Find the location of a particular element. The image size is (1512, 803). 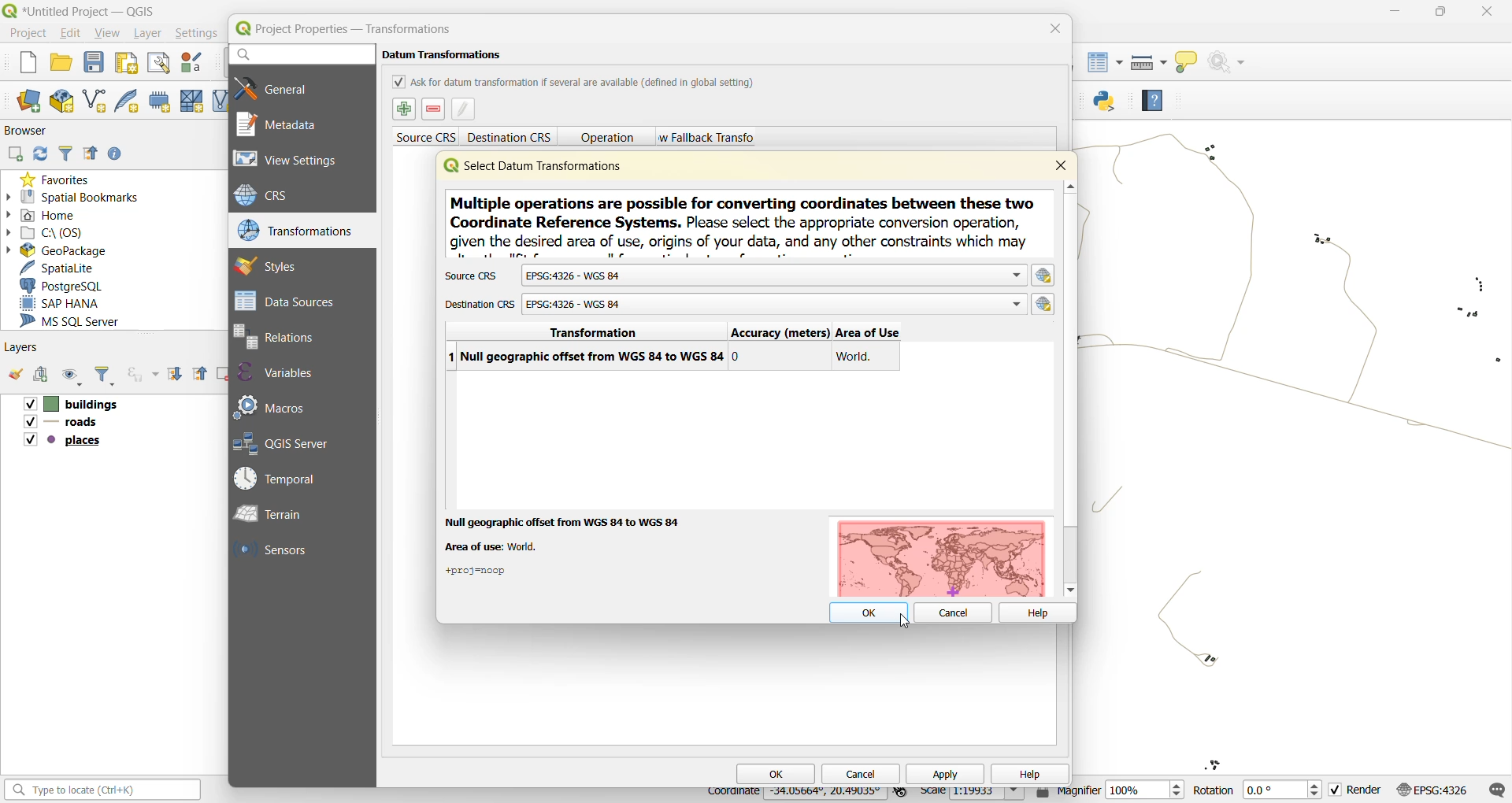

render is located at coordinates (1359, 790).